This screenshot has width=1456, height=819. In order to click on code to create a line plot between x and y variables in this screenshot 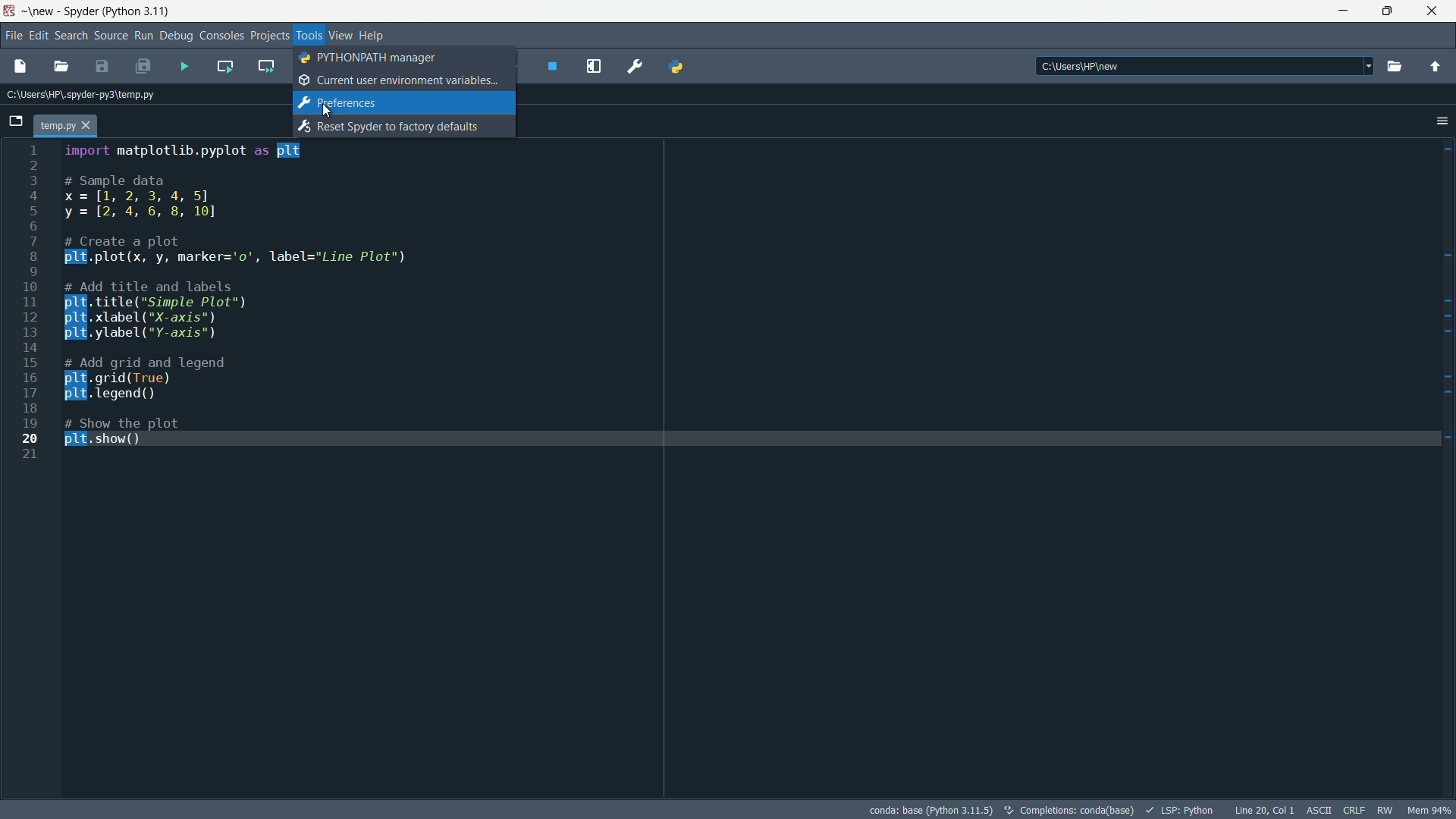, I will do `click(248, 300)`.